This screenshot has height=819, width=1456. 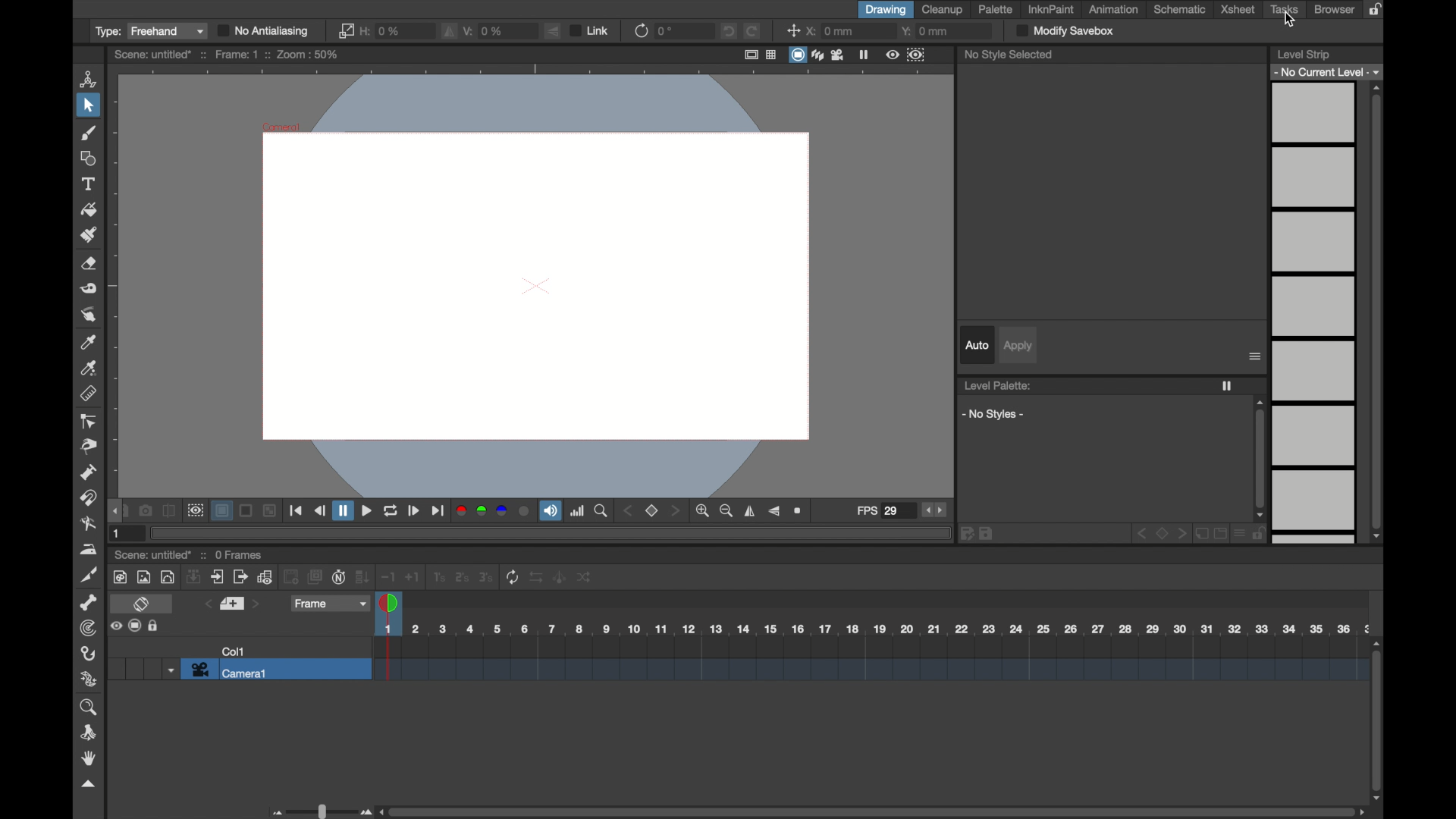 What do you see at coordinates (89, 369) in the screenshot?
I see `rgb picker tool` at bounding box center [89, 369].